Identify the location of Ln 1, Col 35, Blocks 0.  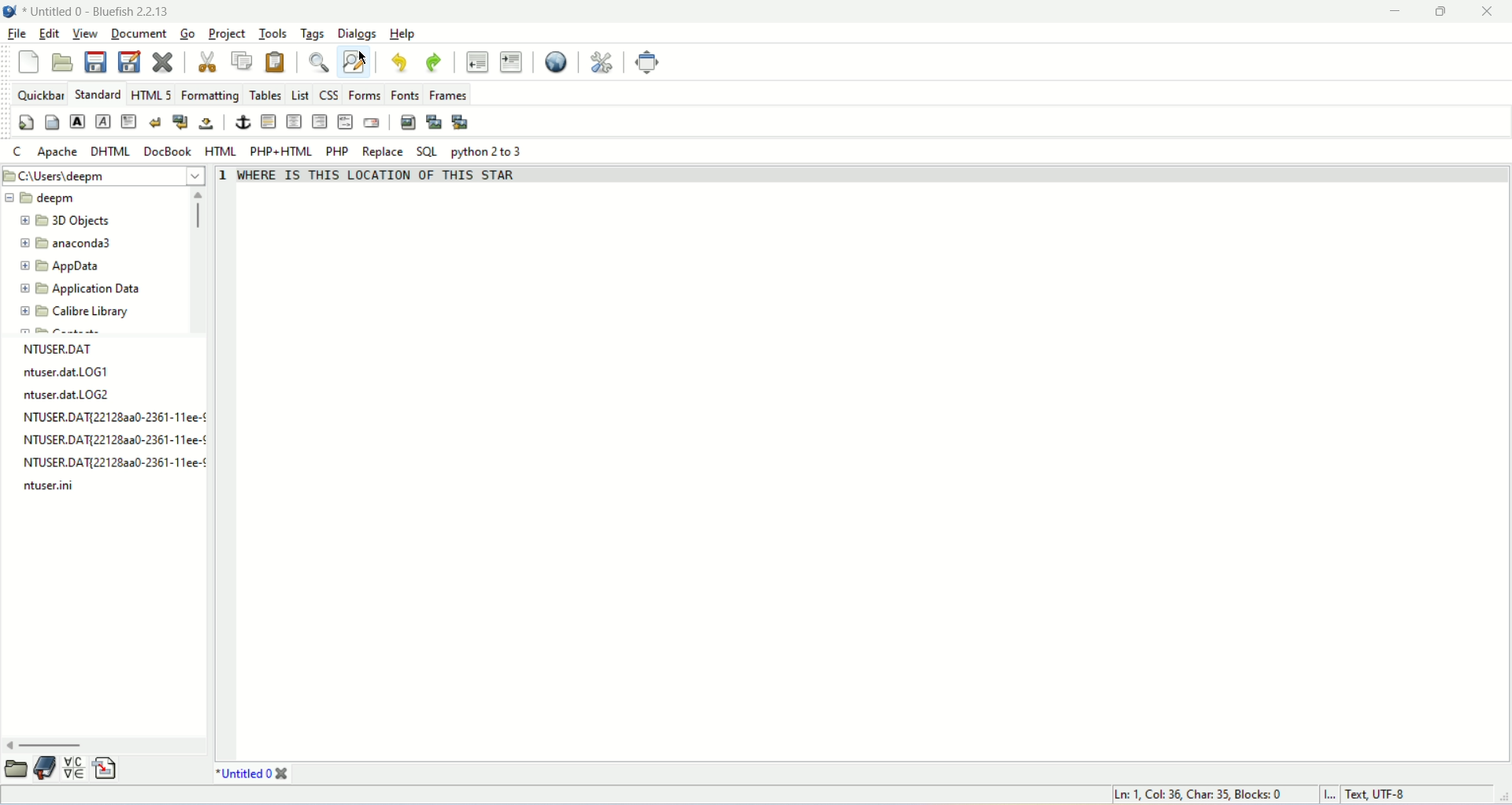
(1206, 795).